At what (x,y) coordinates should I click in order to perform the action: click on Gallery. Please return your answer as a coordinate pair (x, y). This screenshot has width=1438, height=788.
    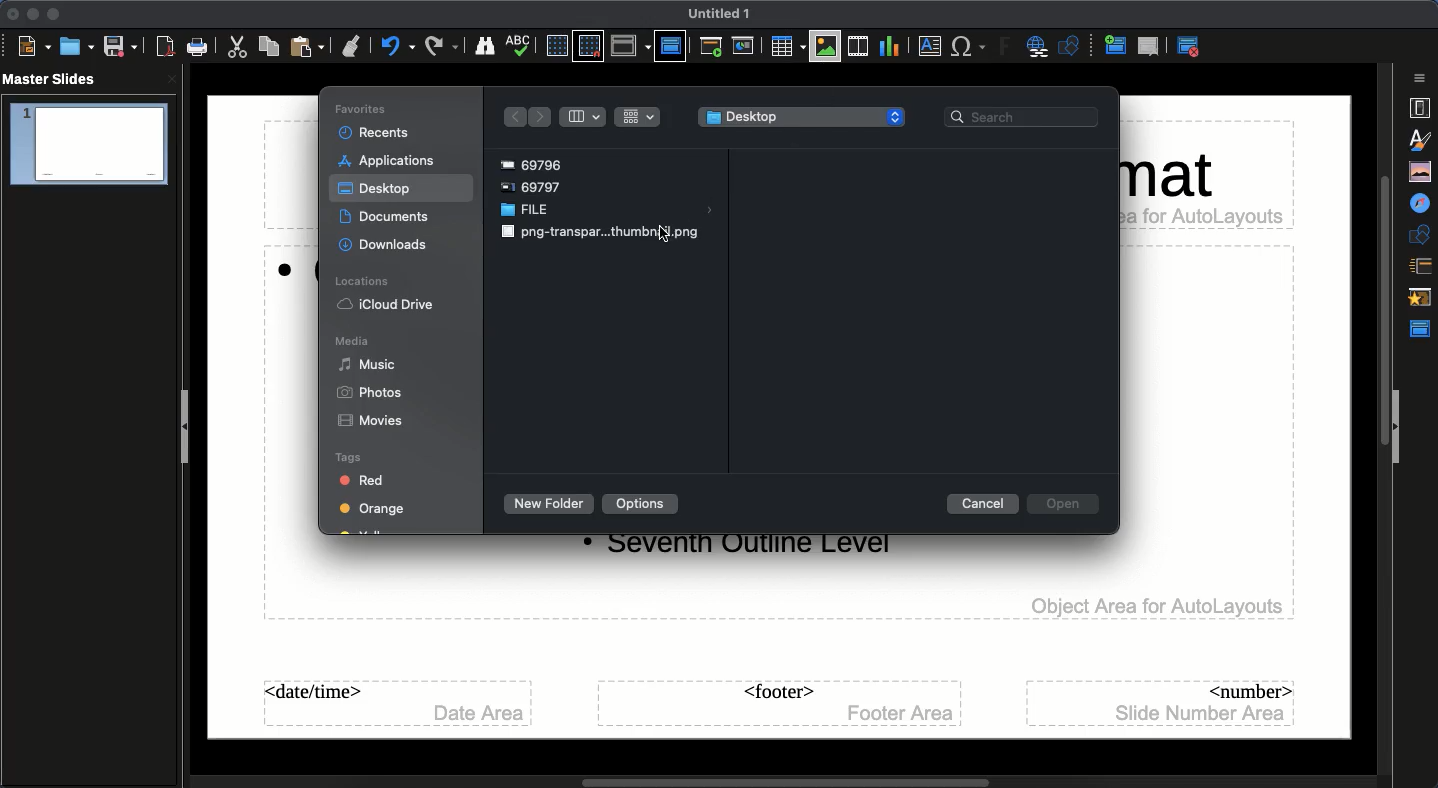
    Looking at the image, I should click on (1422, 171).